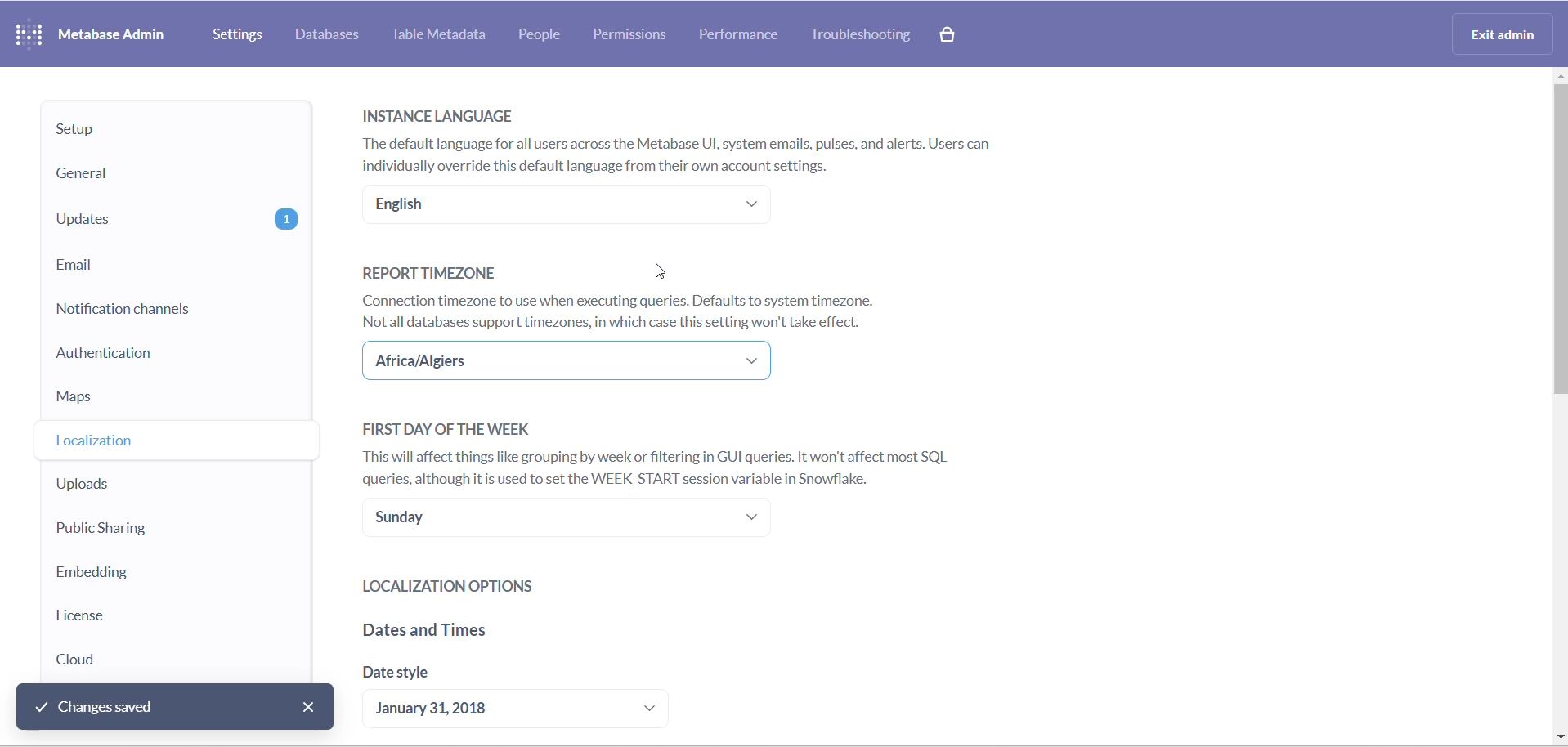 The height and width of the screenshot is (747, 1568). Describe the element at coordinates (90, 33) in the screenshot. I see `LOGO AND APPLICATION NAME` at that location.